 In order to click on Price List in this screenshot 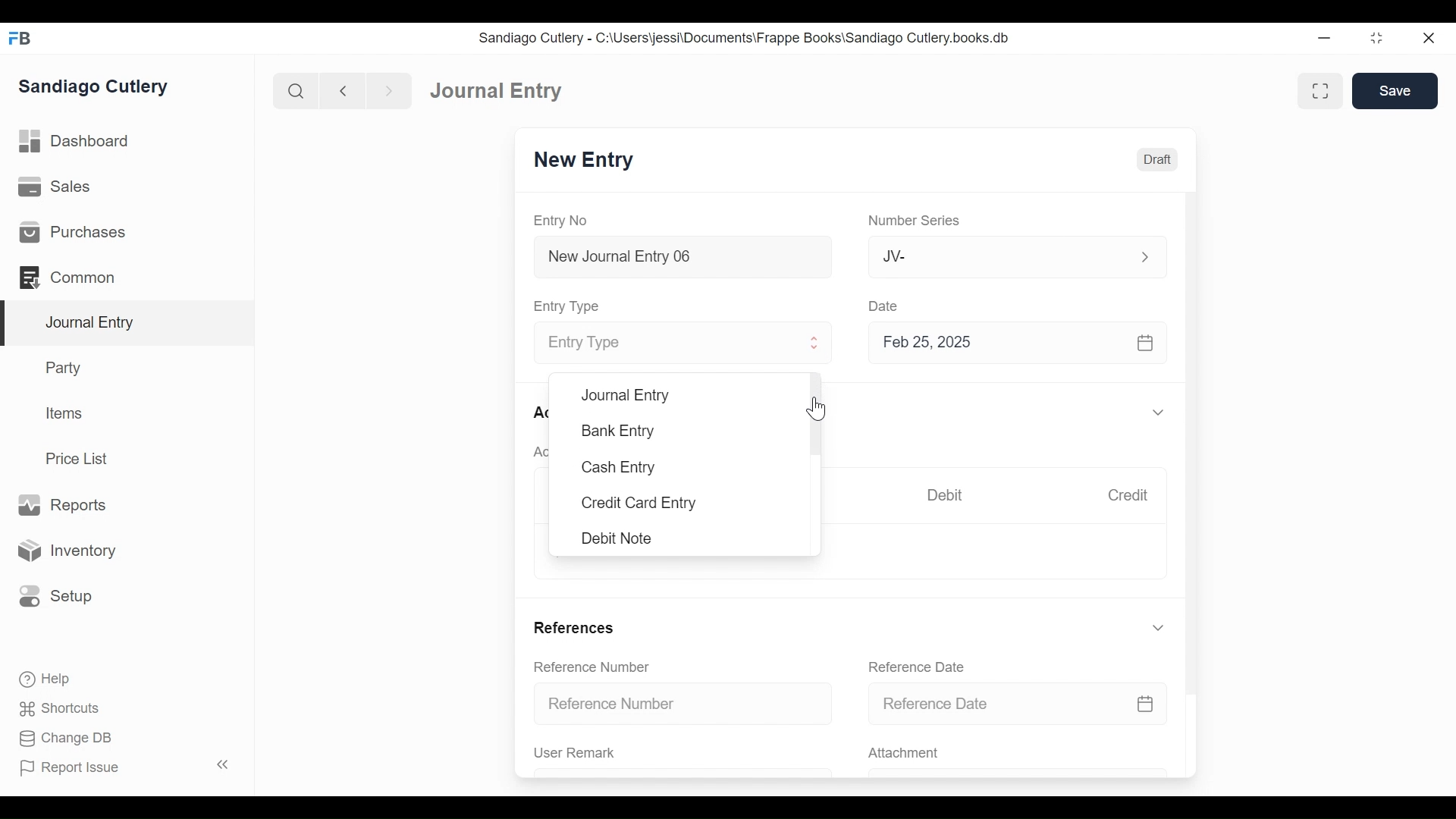, I will do `click(82, 459)`.